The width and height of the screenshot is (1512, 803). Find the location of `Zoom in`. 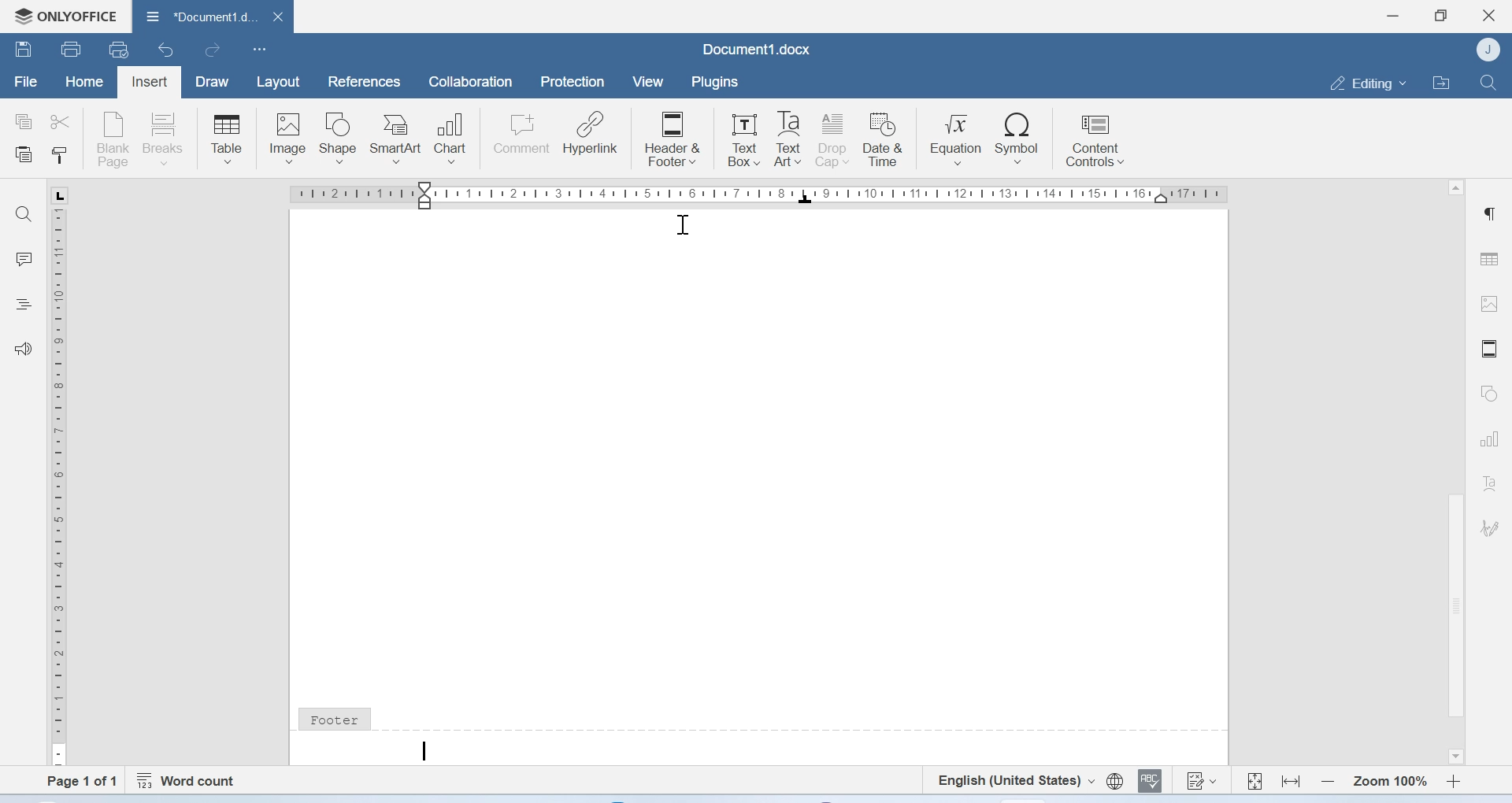

Zoom in is located at coordinates (1454, 779).